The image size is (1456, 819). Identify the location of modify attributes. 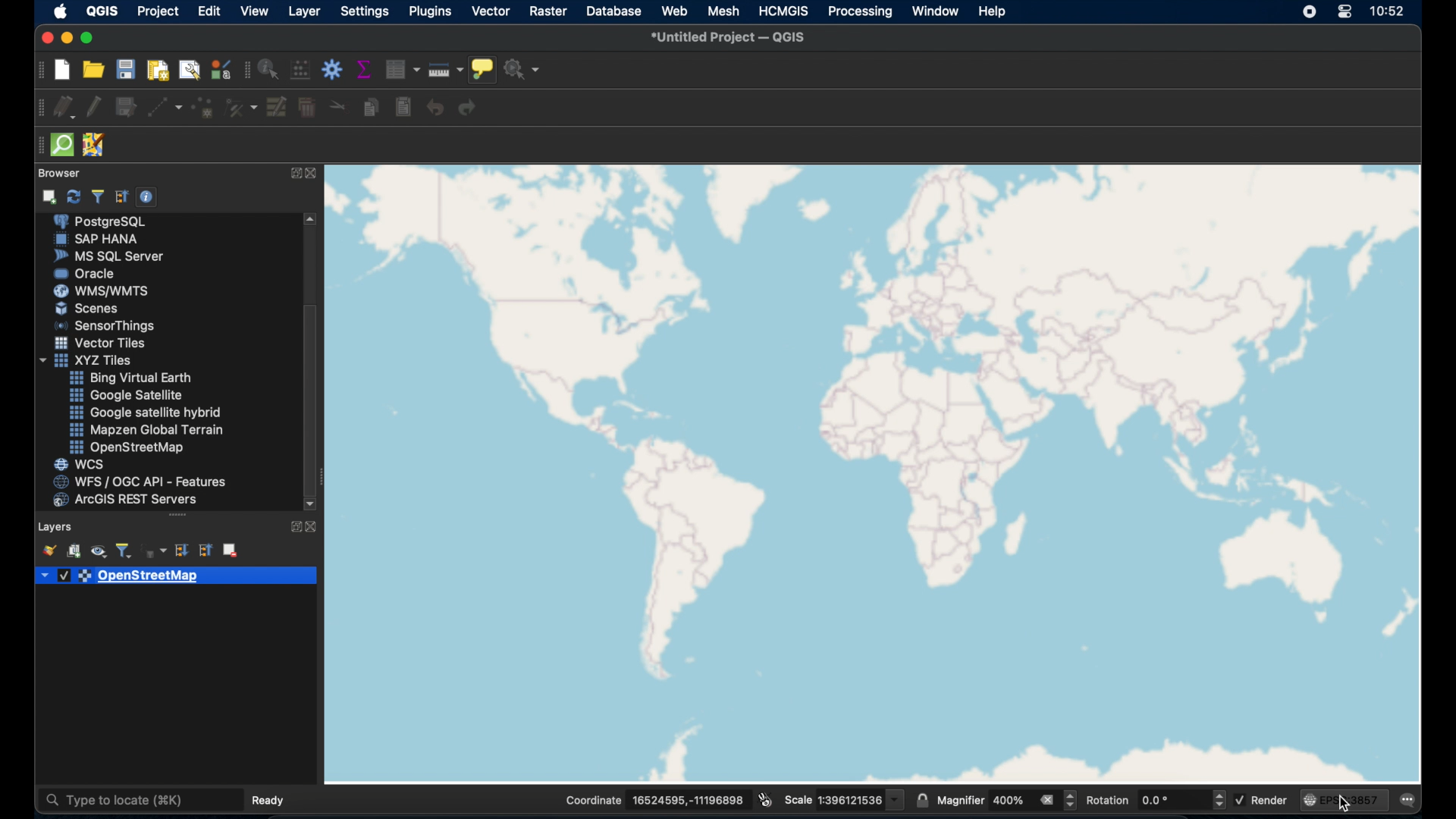
(277, 109).